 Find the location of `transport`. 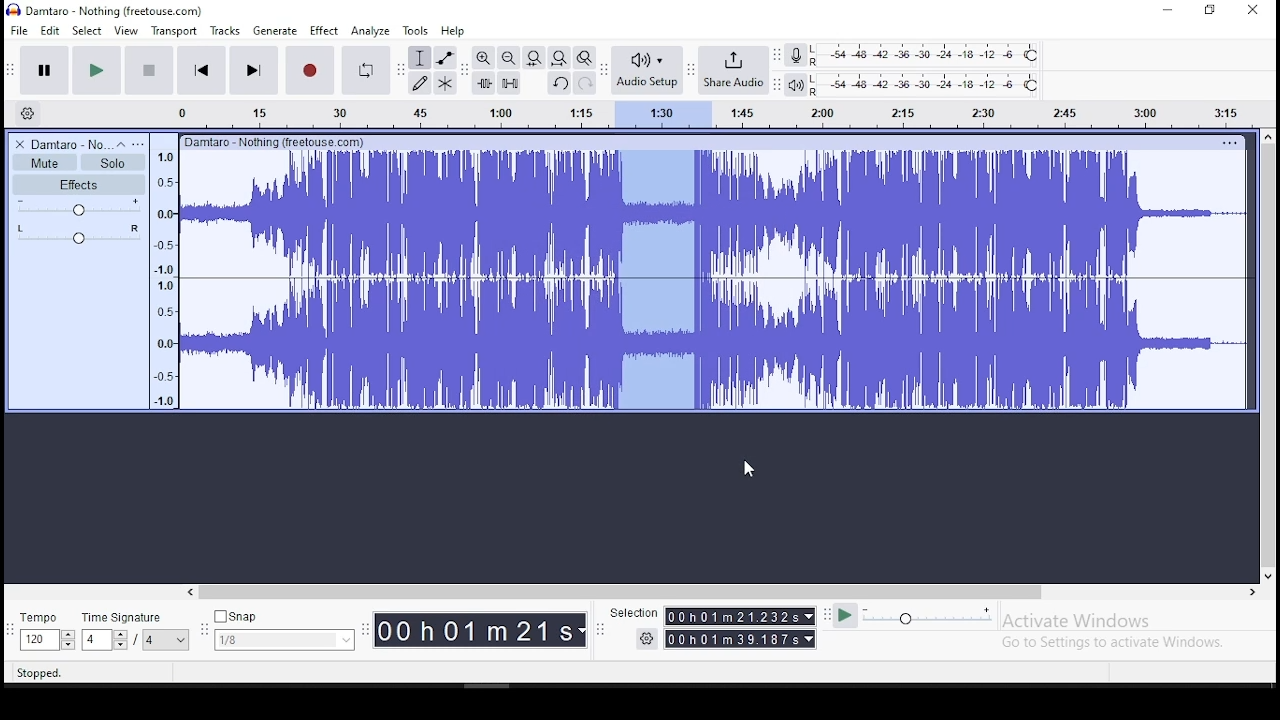

transport is located at coordinates (174, 31).